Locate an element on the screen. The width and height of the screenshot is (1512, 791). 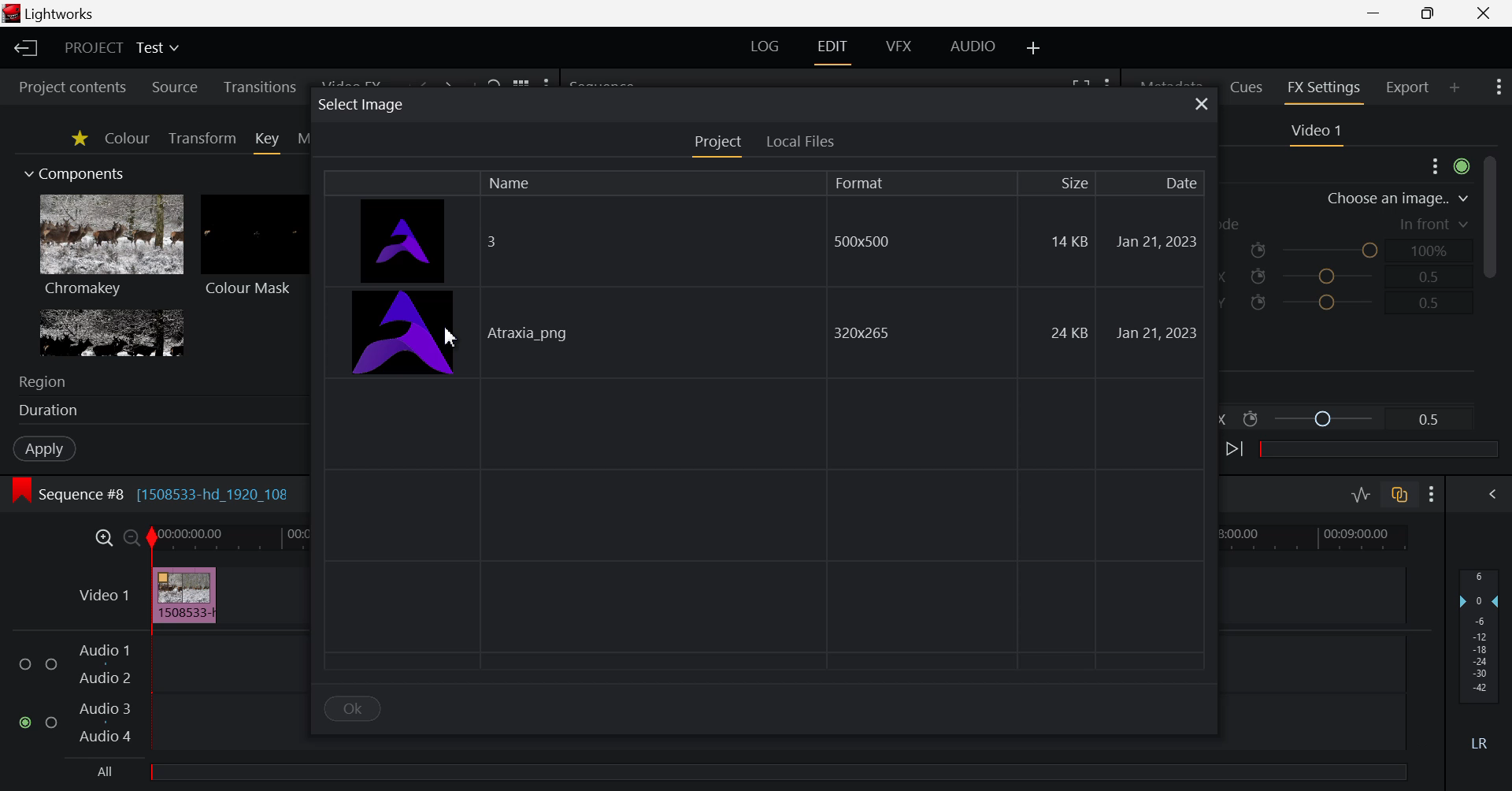
0.5 is located at coordinates (1429, 276).